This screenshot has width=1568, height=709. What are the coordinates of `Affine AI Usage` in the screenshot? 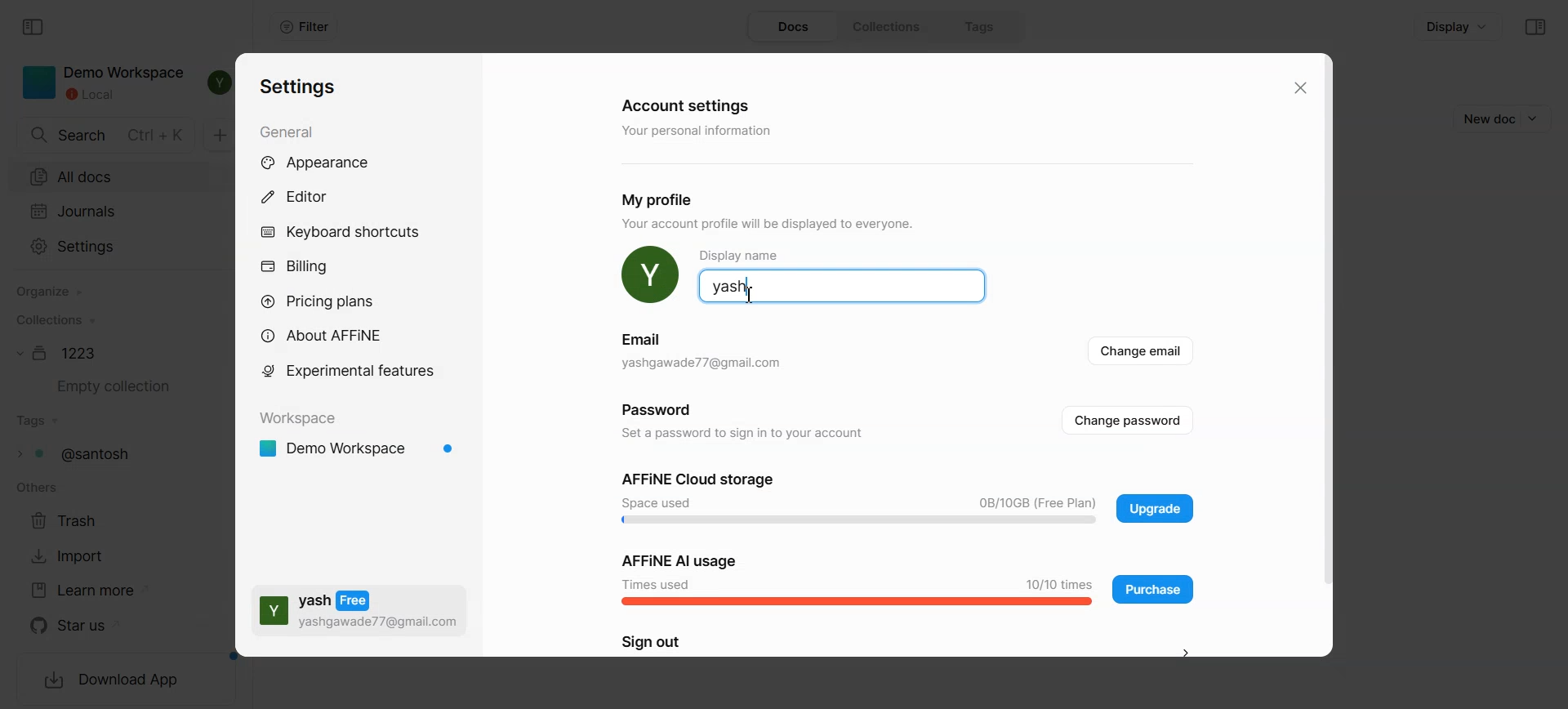 It's located at (857, 577).